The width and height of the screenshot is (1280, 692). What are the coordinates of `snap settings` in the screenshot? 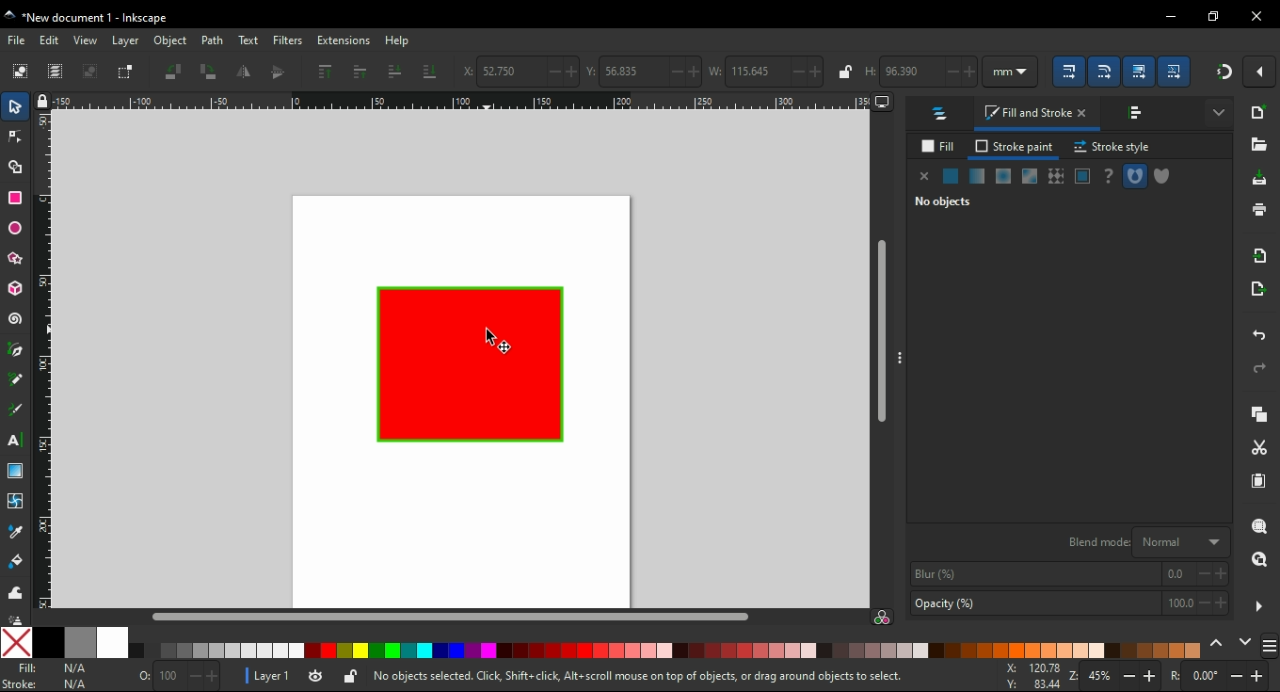 It's located at (1260, 71).